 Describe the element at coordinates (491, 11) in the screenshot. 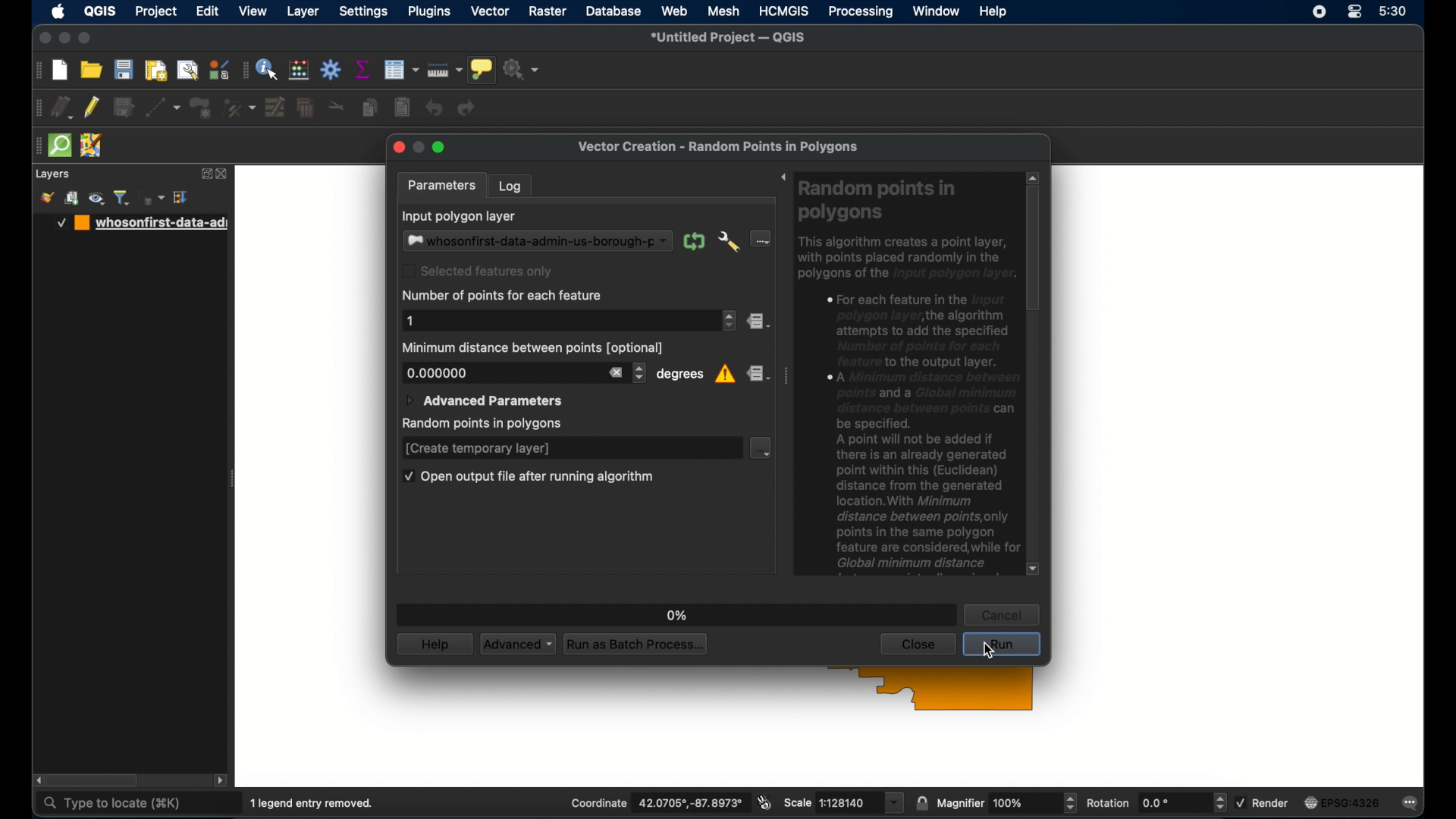

I see `vector` at that location.